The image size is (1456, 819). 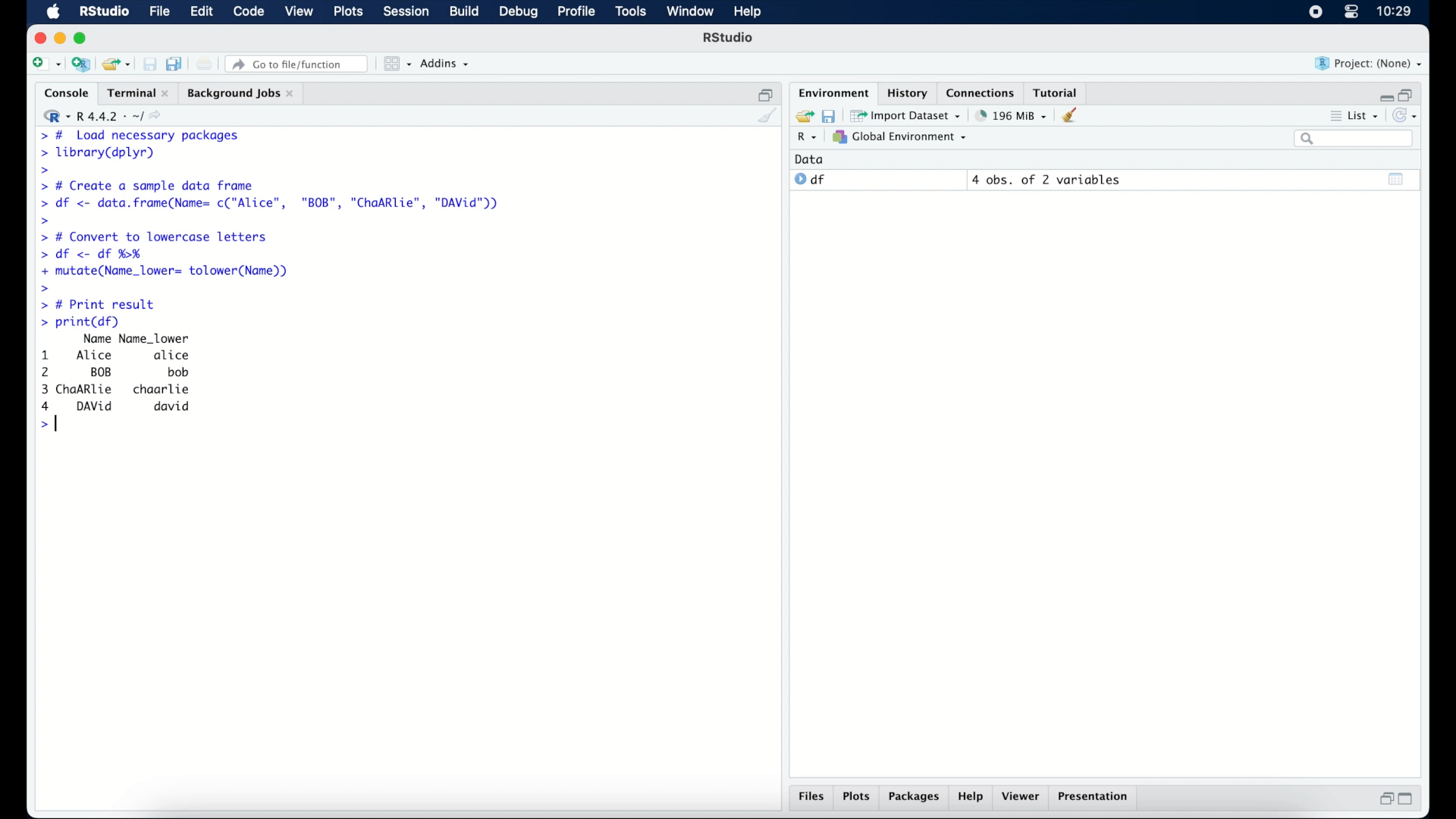 I want to click on environment, so click(x=831, y=92).